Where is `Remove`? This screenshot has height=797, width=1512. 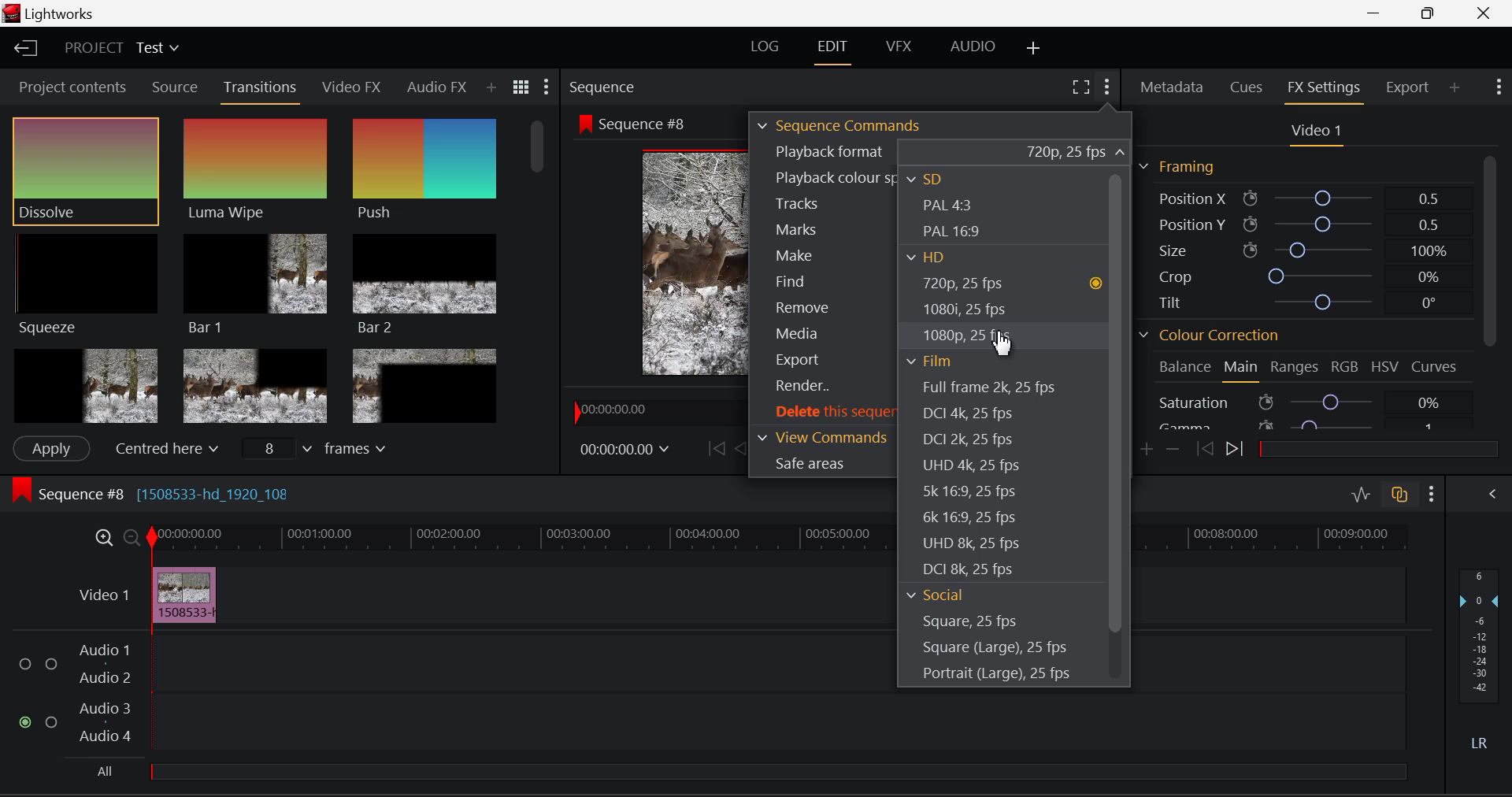
Remove is located at coordinates (826, 306).